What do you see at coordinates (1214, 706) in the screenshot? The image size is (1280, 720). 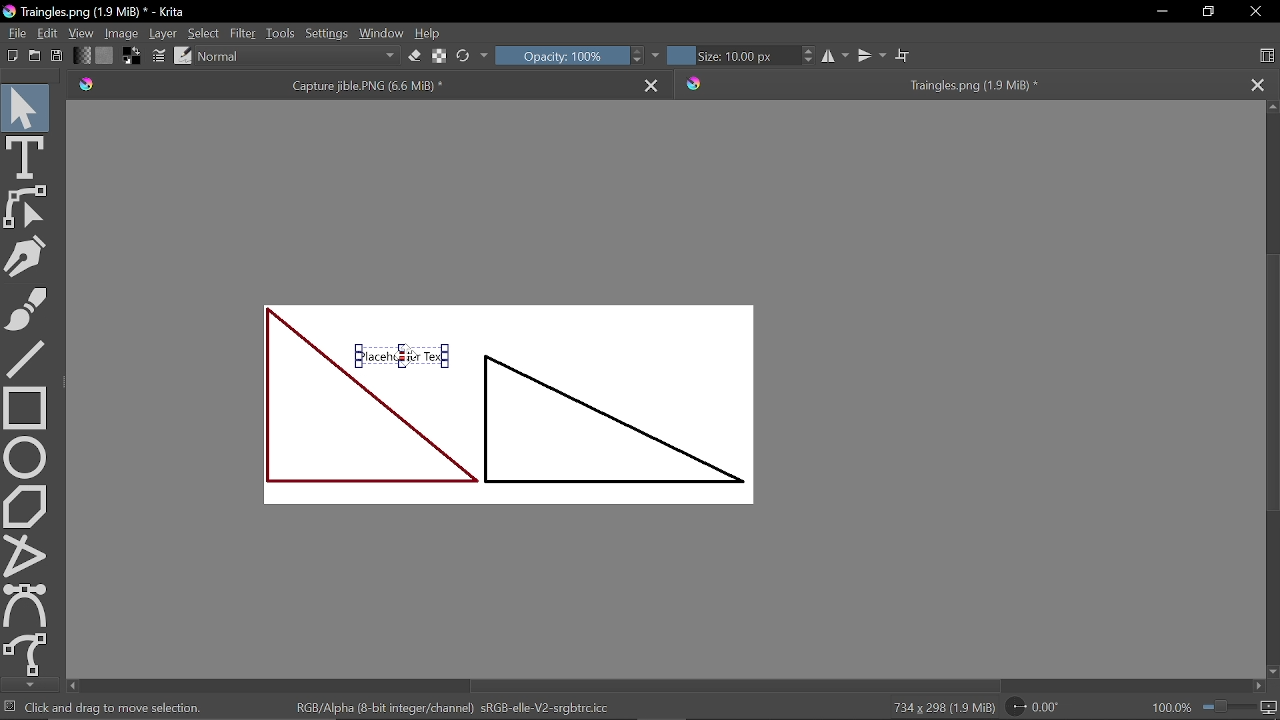 I see `100.0%` at bounding box center [1214, 706].